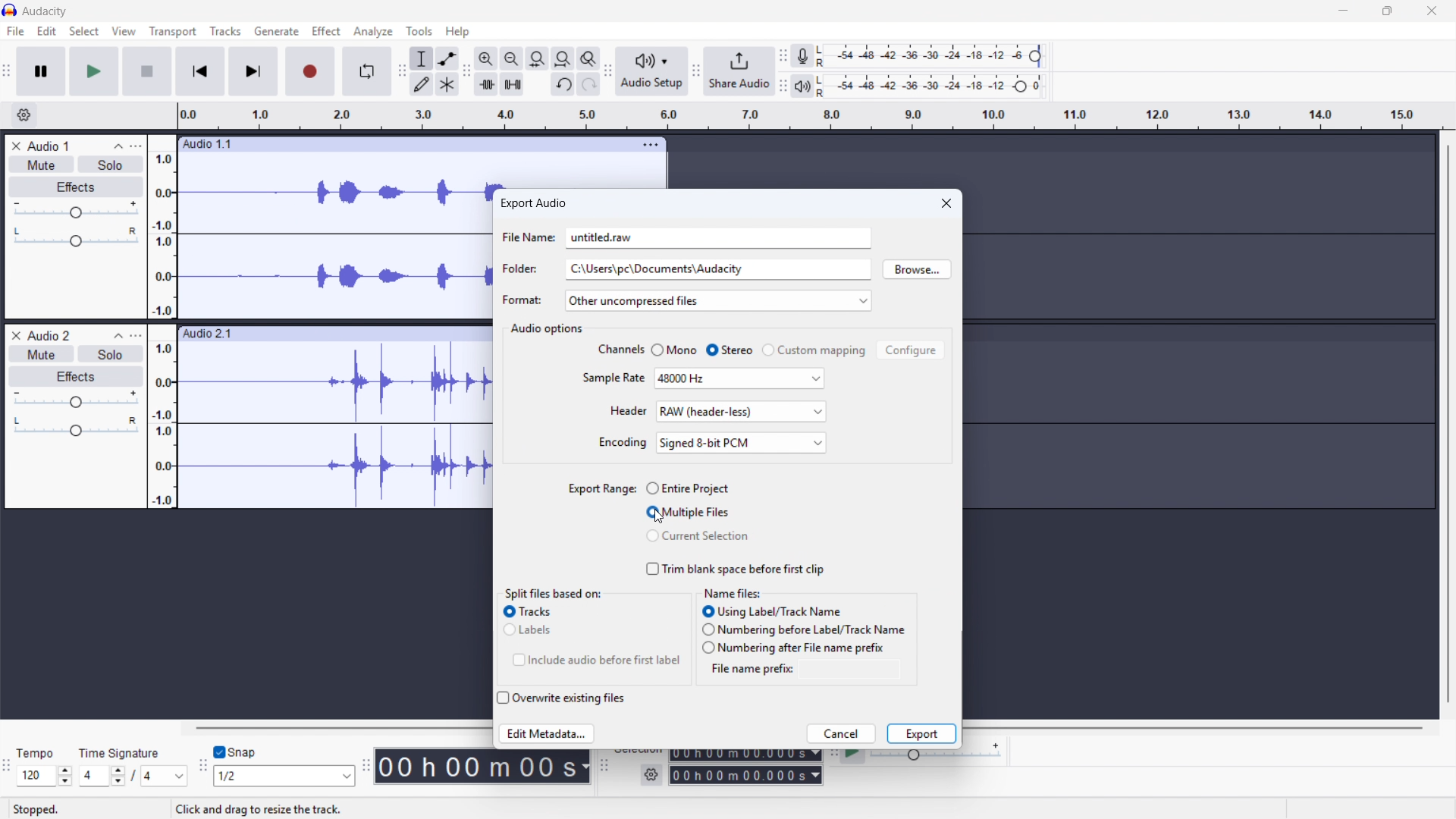  I want to click on Fit selection to width, so click(536, 58).